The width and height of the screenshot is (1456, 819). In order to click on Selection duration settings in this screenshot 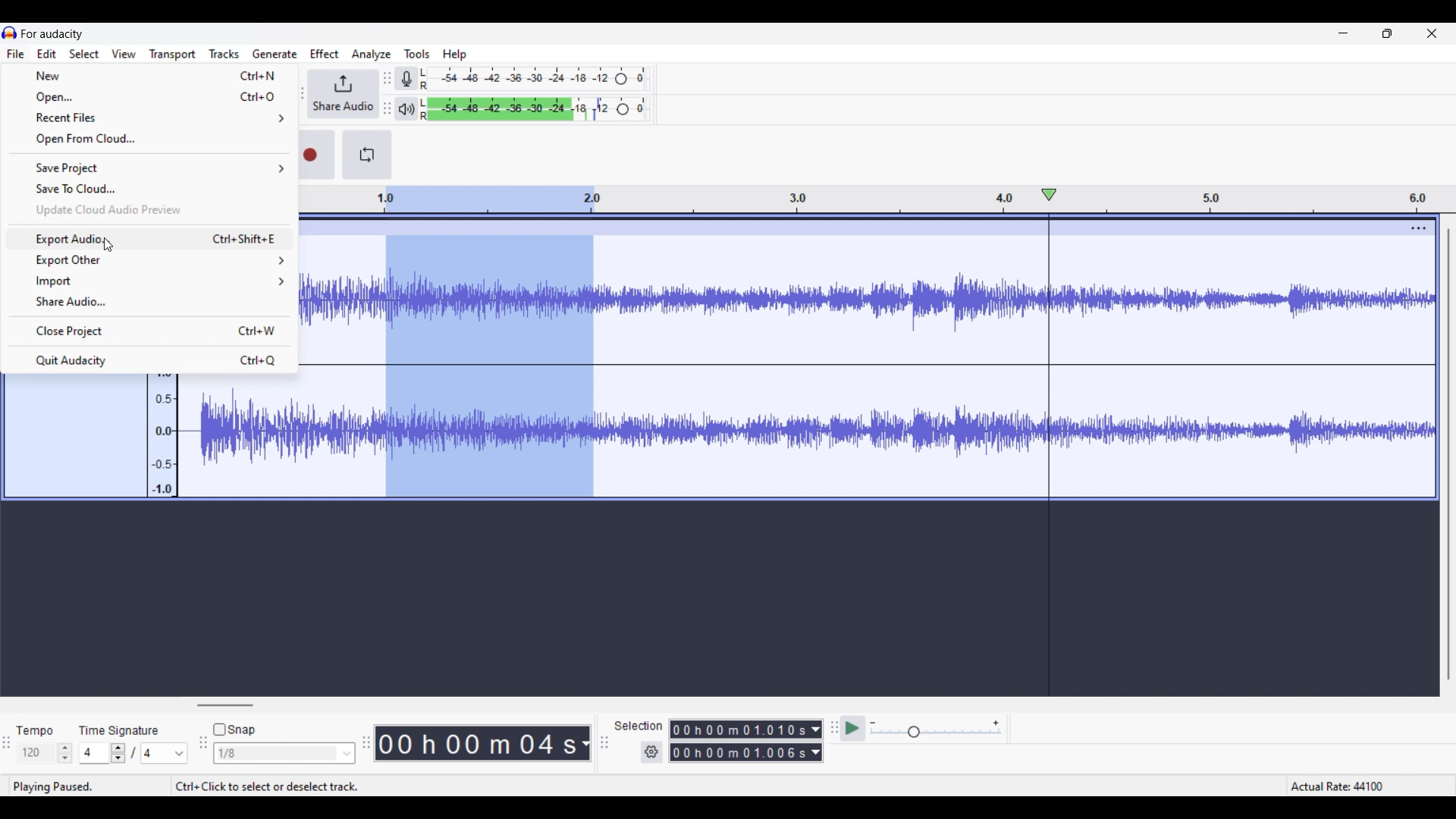, I will do `click(651, 752)`.